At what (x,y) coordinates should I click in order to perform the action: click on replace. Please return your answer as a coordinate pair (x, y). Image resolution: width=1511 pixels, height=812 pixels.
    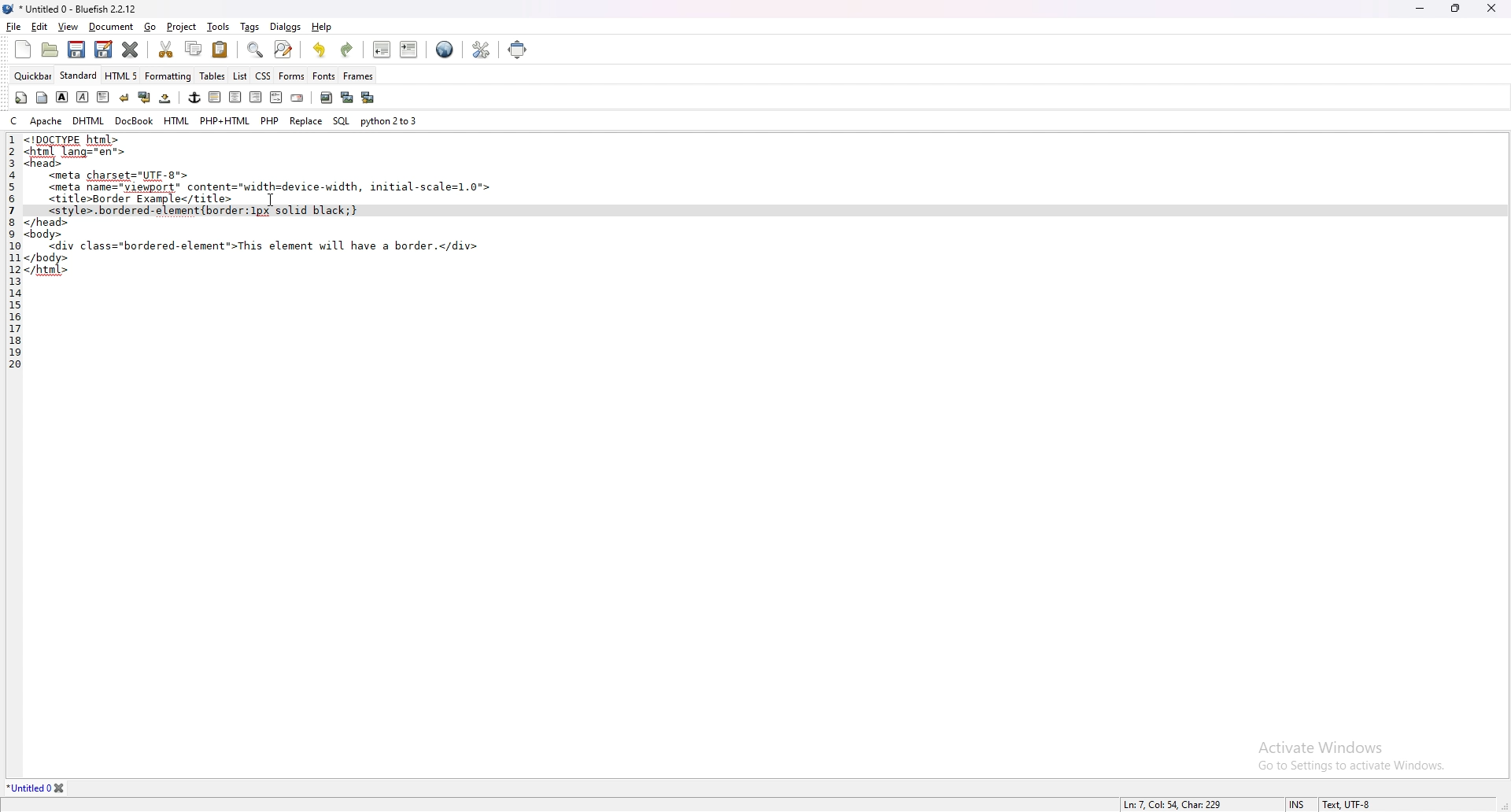
    Looking at the image, I should click on (306, 121).